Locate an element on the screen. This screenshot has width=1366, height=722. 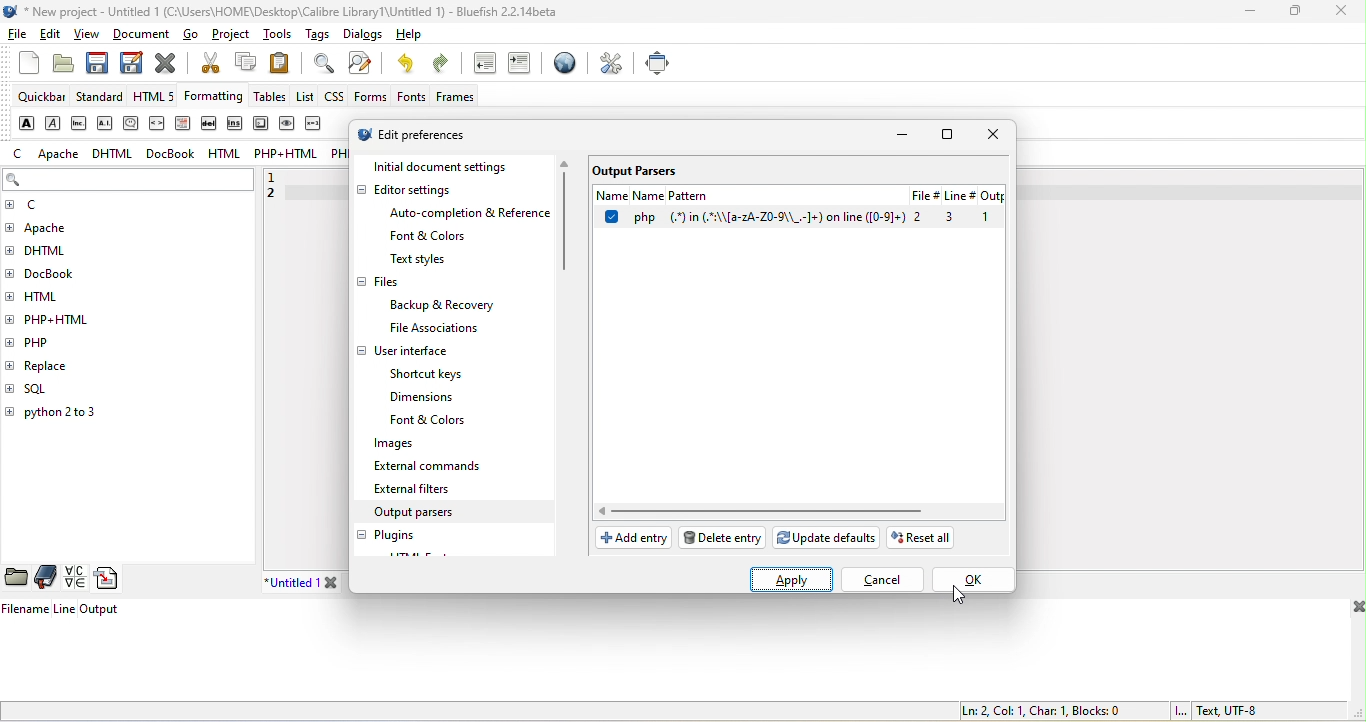
php is located at coordinates (340, 156).